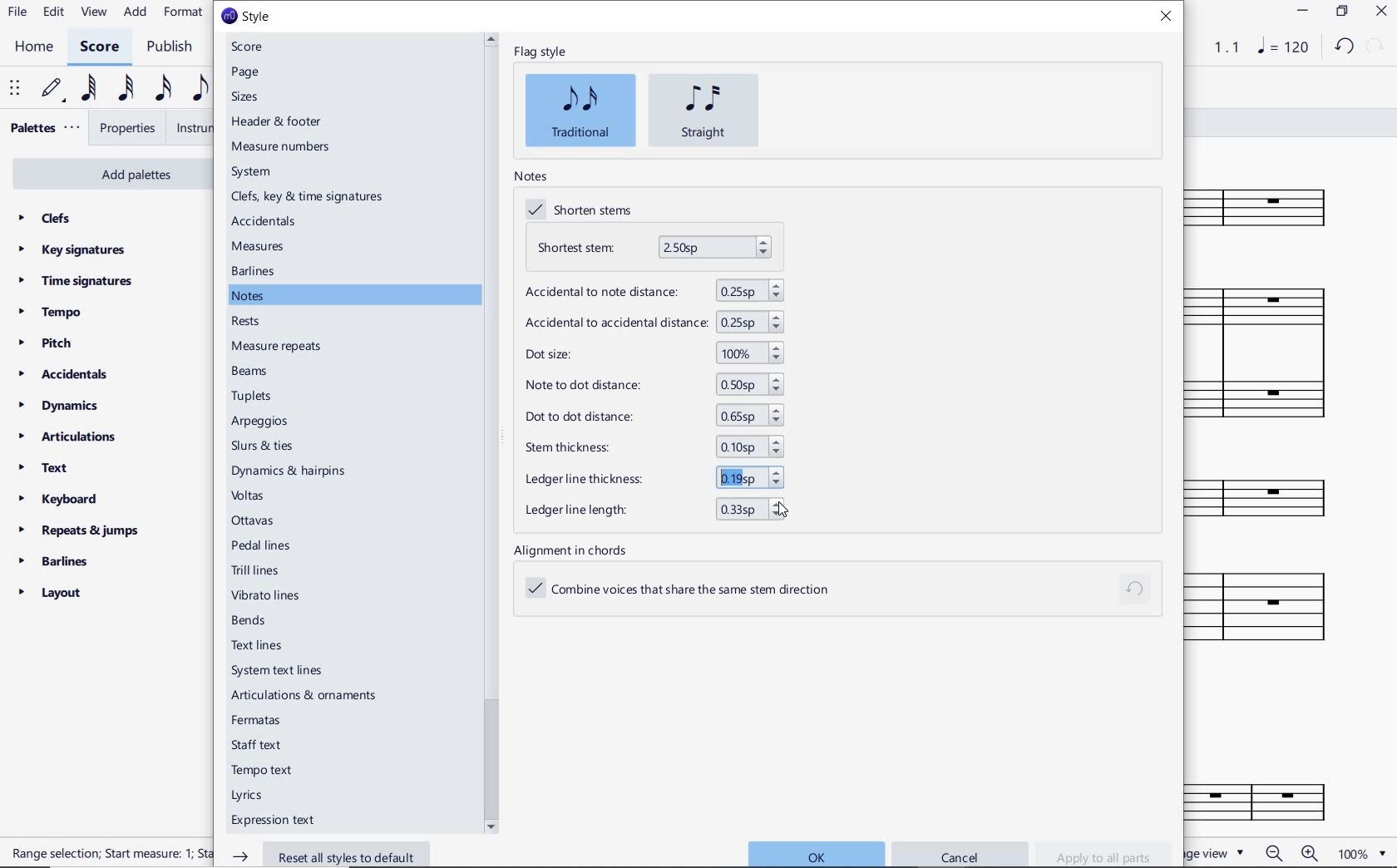 The width and height of the screenshot is (1397, 868). Describe the element at coordinates (43, 131) in the screenshot. I see `palettes` at that location.